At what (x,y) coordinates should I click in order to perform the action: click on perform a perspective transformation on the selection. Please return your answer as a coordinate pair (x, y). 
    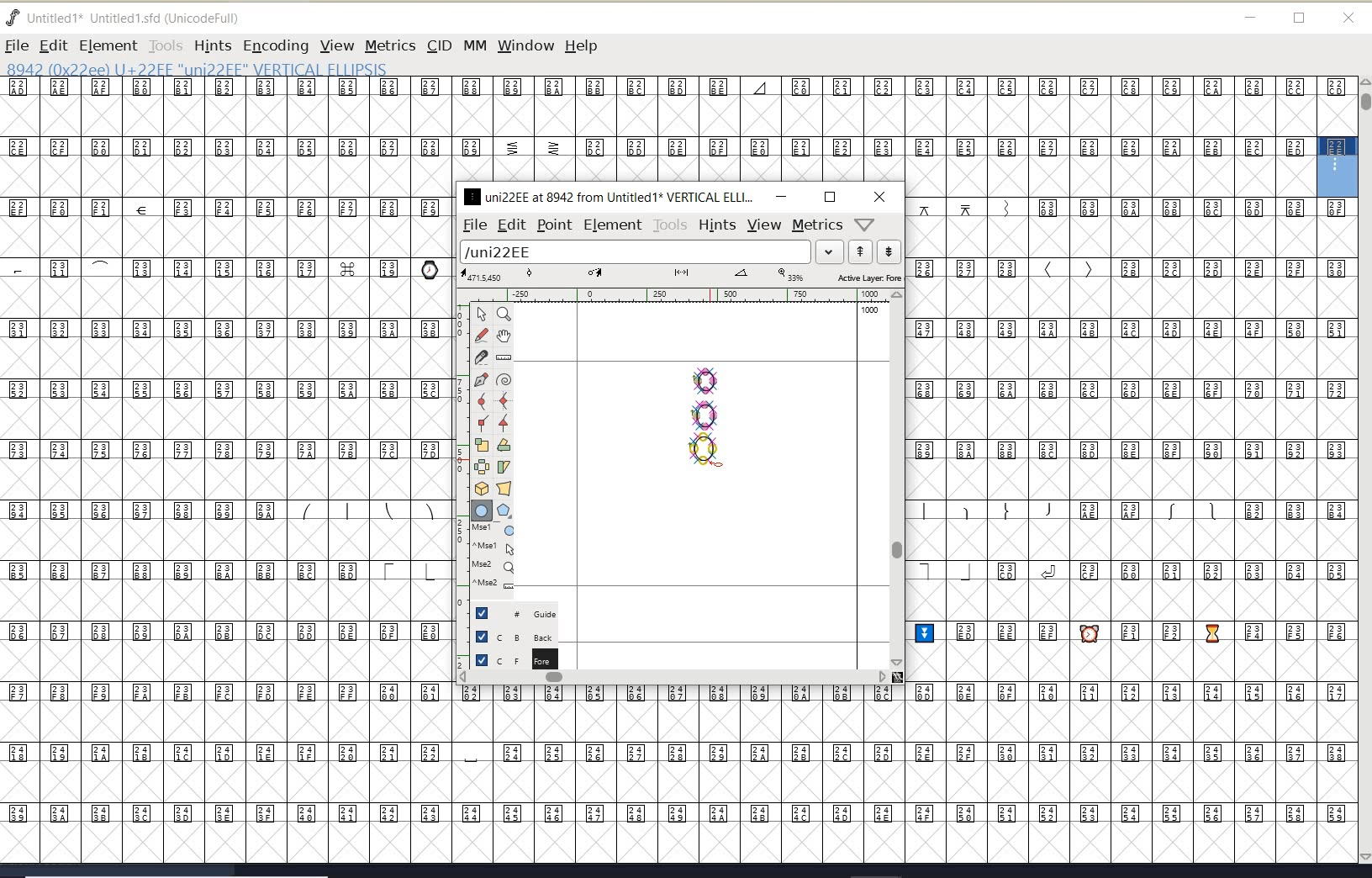
    Looking at the image, I should click on (504, 488).